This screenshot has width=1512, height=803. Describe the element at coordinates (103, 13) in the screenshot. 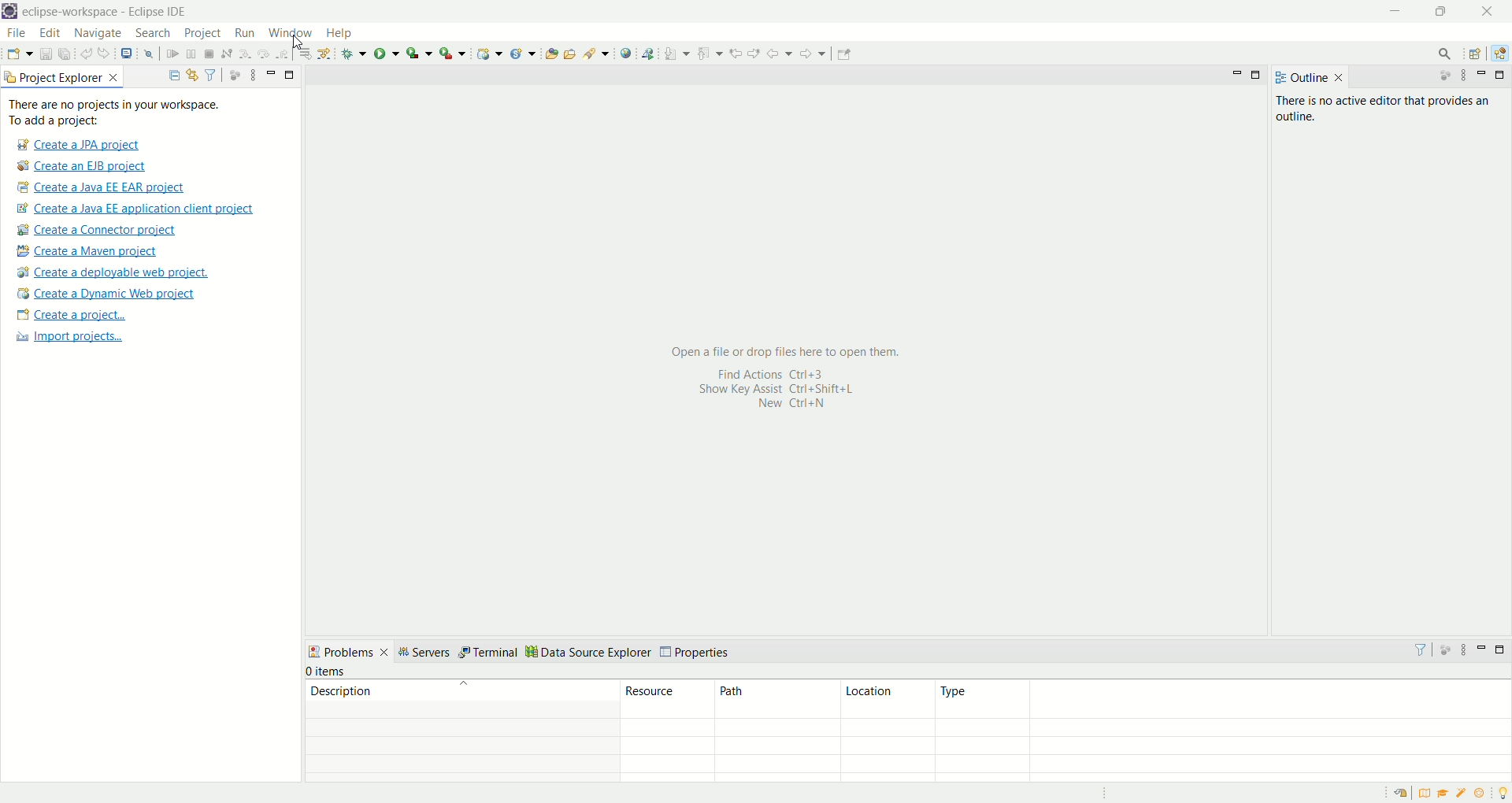

I see `eclipse-workspace-Eclipse IDE` at that location.